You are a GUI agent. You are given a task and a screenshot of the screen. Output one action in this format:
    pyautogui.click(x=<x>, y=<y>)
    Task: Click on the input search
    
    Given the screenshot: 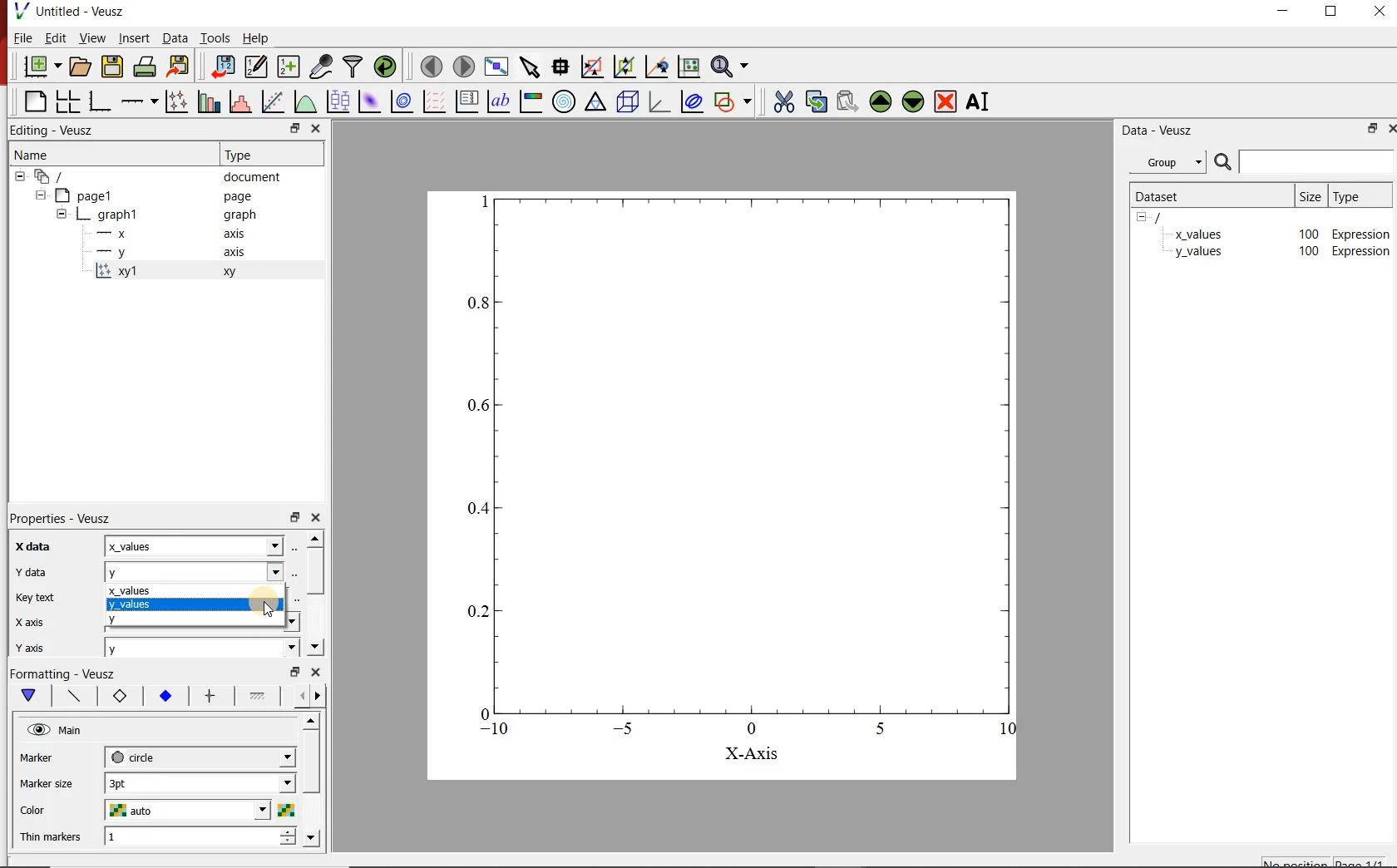 What is the action you would take?
    pyautogui.click(x=1316, y=161)
    